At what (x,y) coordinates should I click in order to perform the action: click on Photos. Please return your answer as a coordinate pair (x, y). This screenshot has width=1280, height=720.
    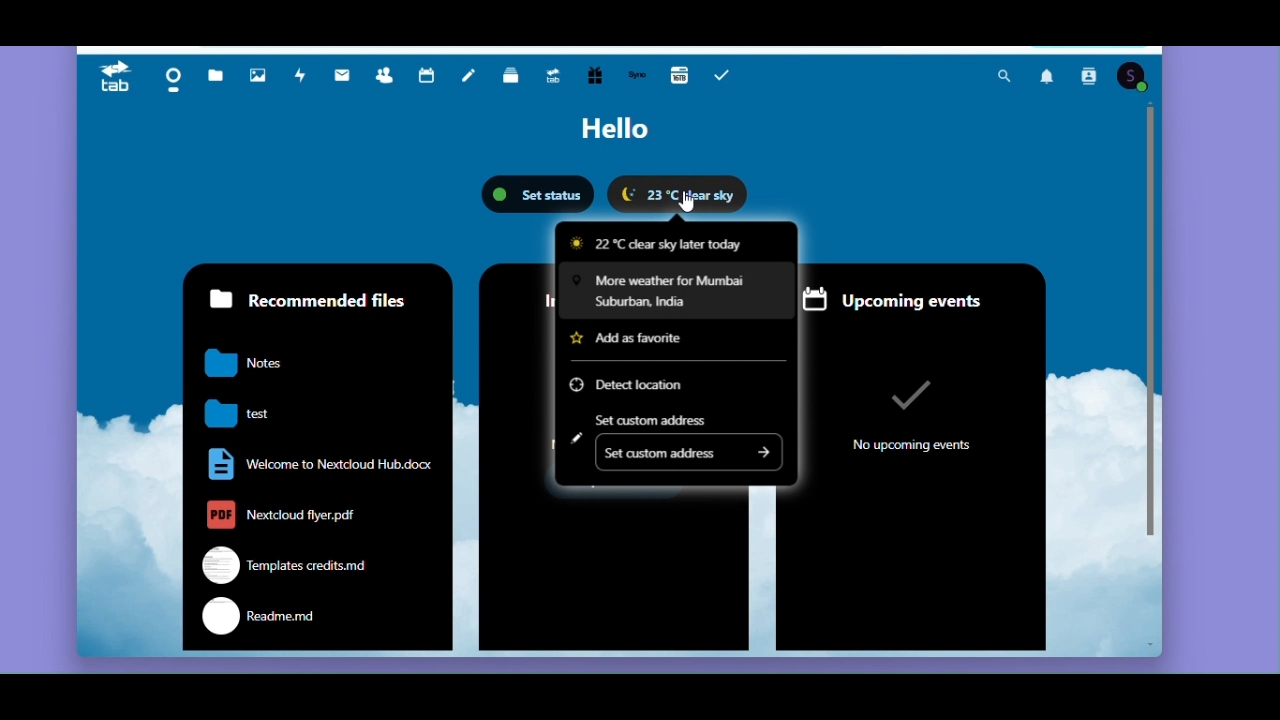
    Looking at the image, I should click on (261, 79).